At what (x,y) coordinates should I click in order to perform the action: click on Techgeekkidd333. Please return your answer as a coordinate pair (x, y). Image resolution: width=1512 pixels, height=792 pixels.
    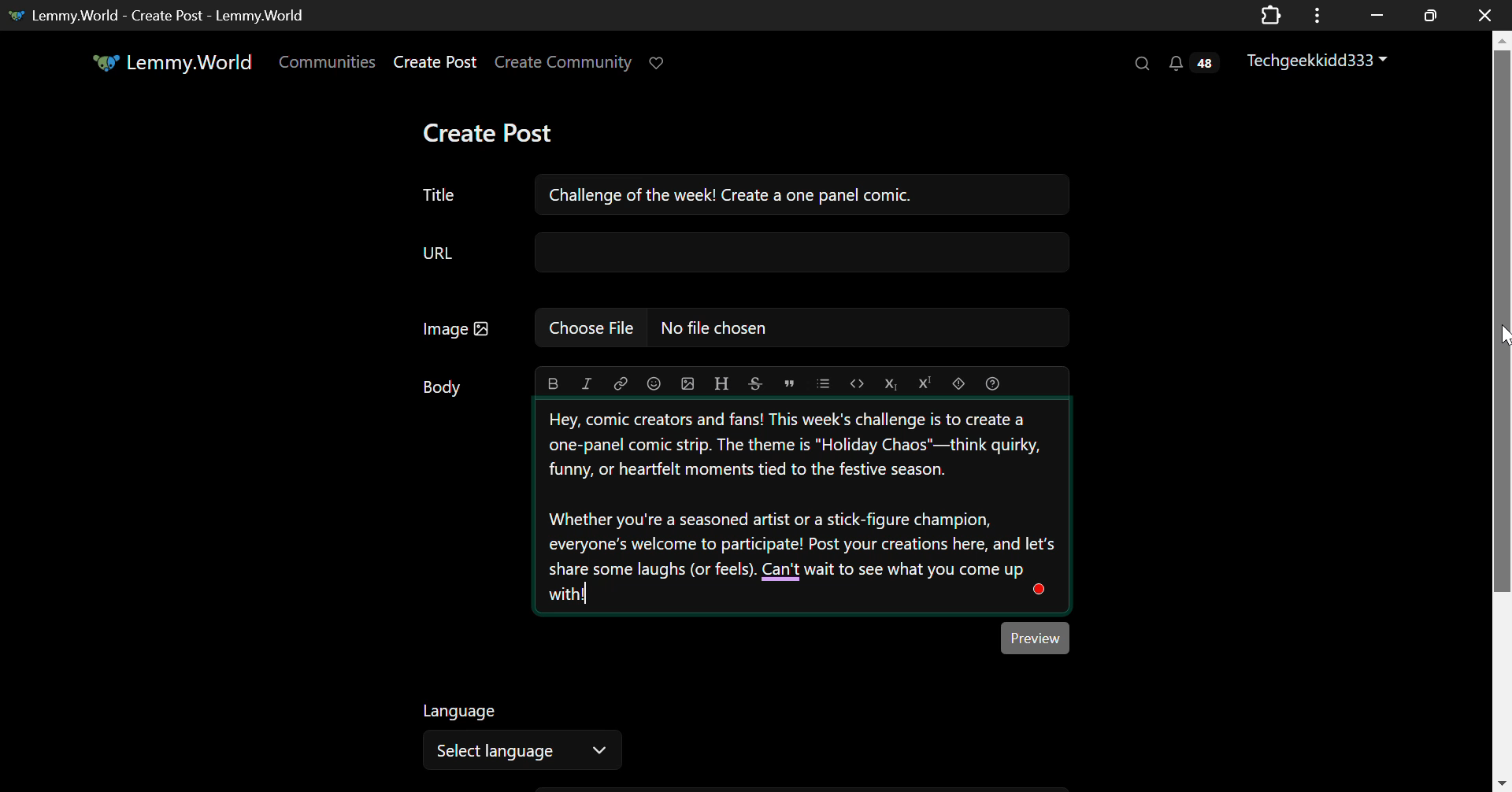
    Looking at the image, I should click on (1320, 61).